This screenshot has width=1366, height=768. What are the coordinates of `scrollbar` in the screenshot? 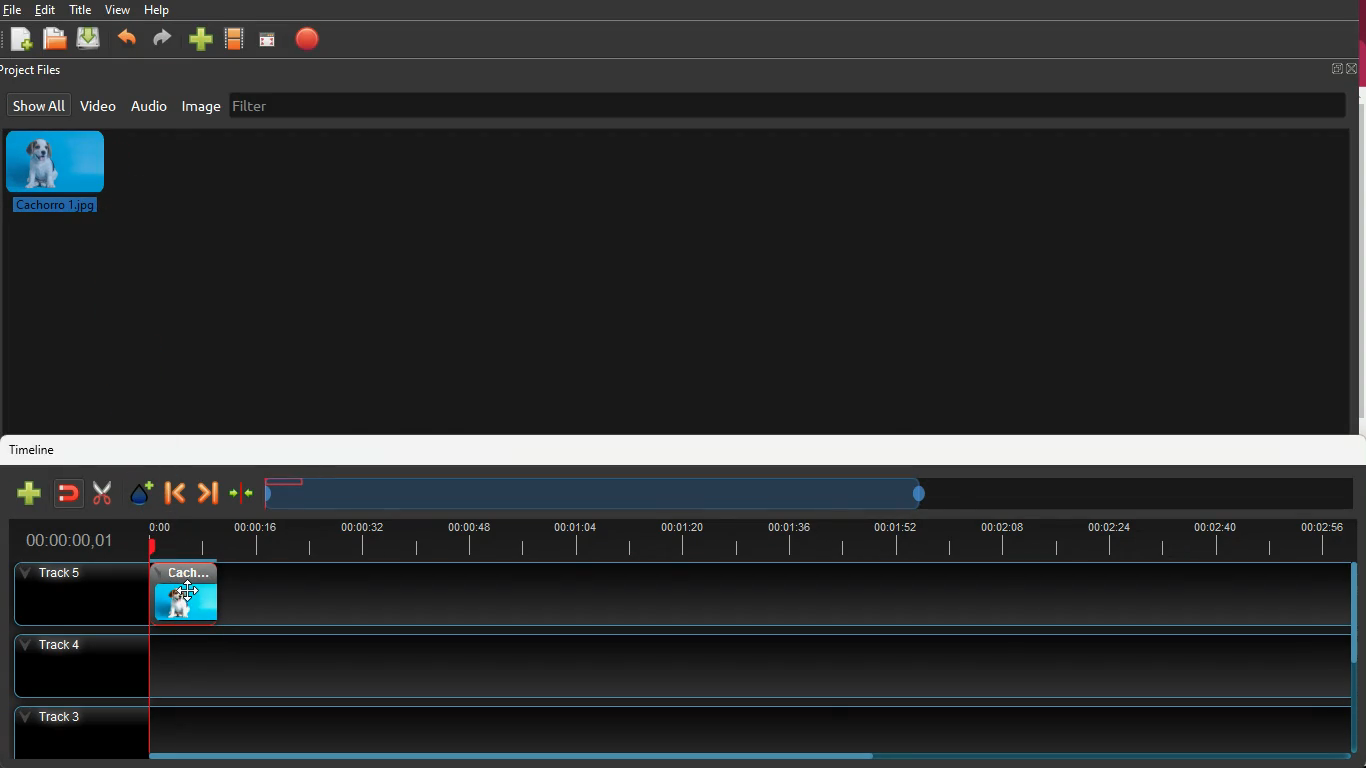 It's located at (744, 754).